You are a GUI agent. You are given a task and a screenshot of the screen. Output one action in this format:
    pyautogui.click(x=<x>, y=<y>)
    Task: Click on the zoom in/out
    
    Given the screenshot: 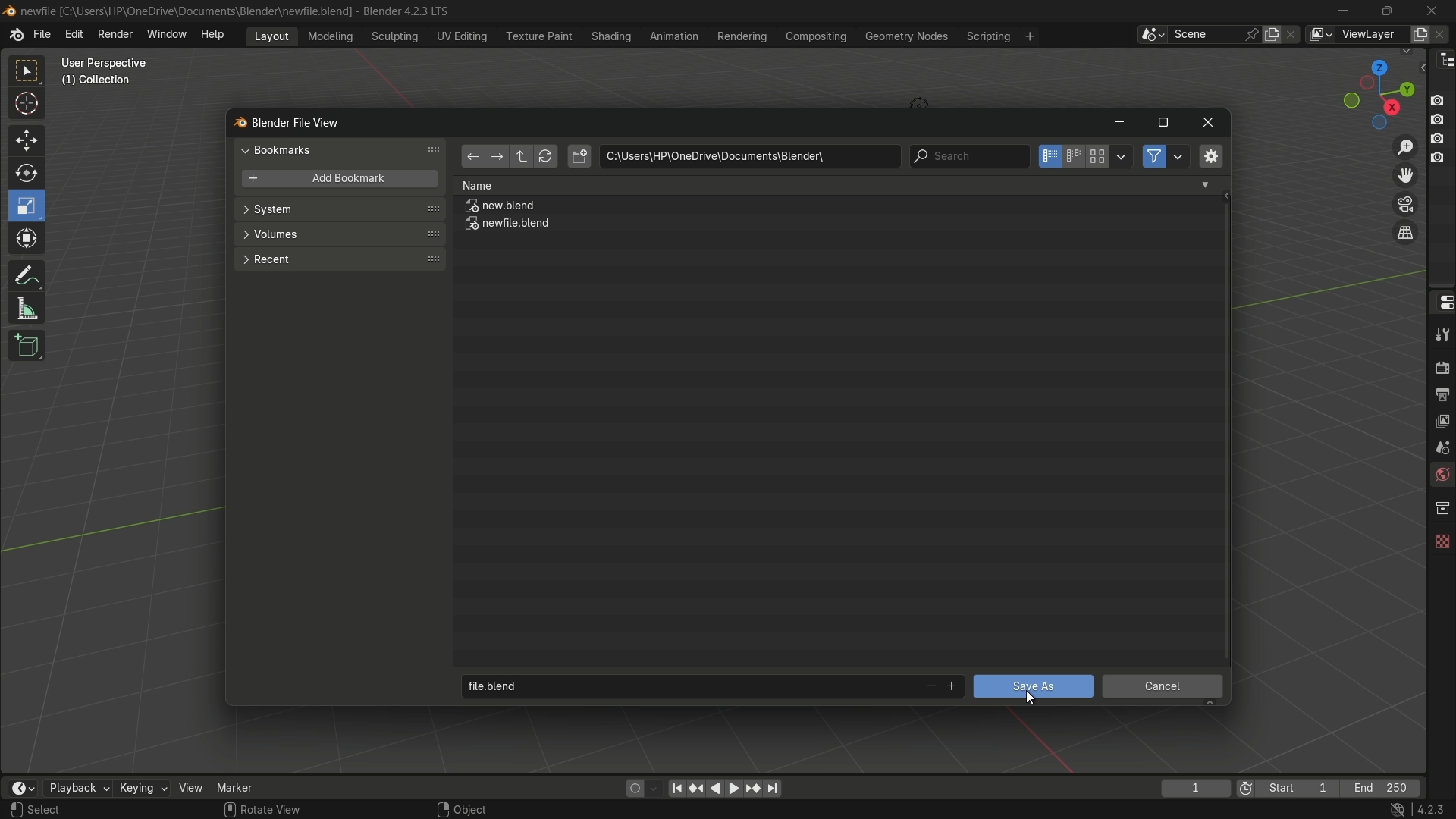 What is the action you would take?
    pyautogui.click(x=1406, y=145)
    